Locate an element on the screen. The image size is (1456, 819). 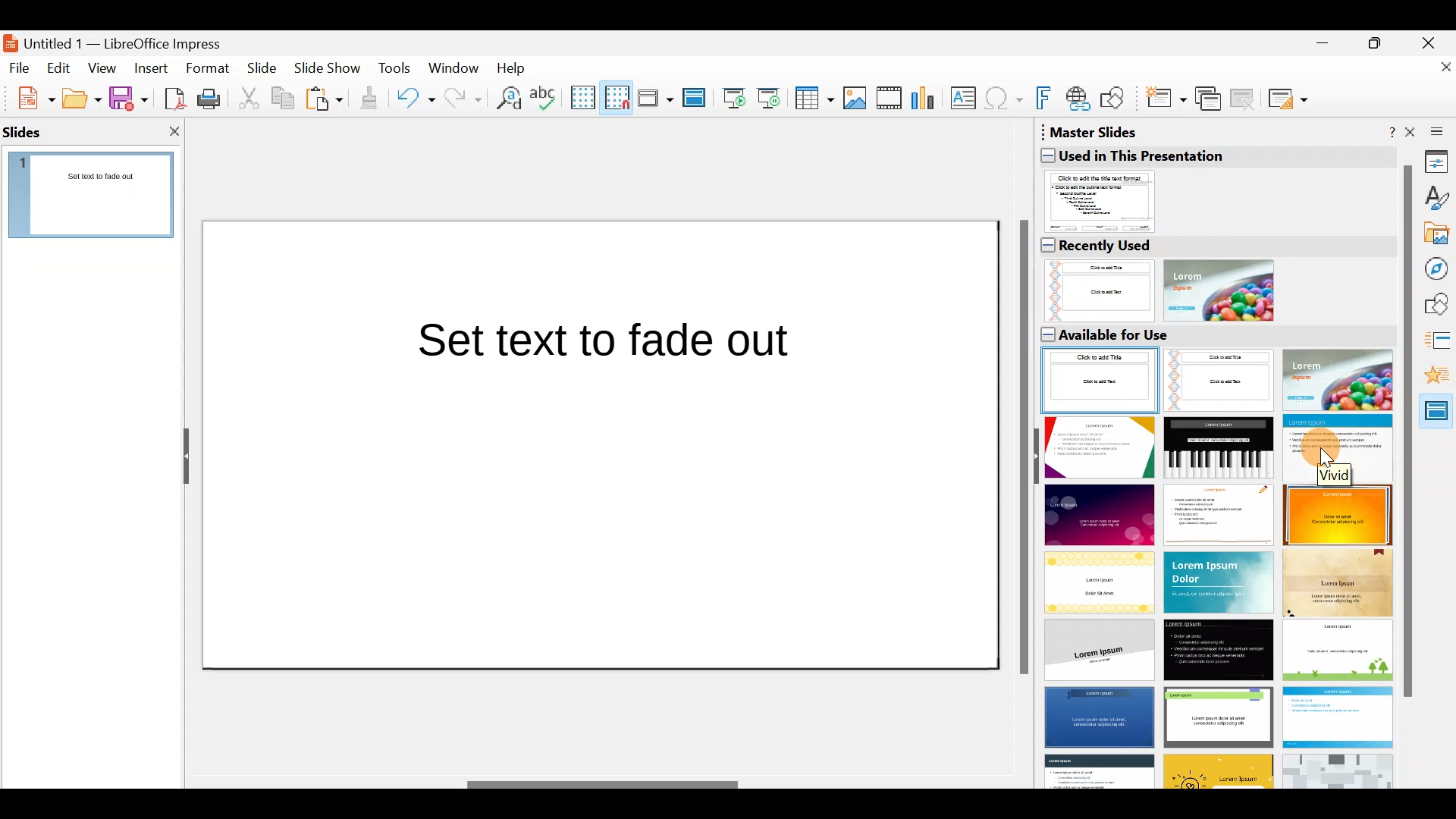
Close document is located at coordinates (1437, 74).